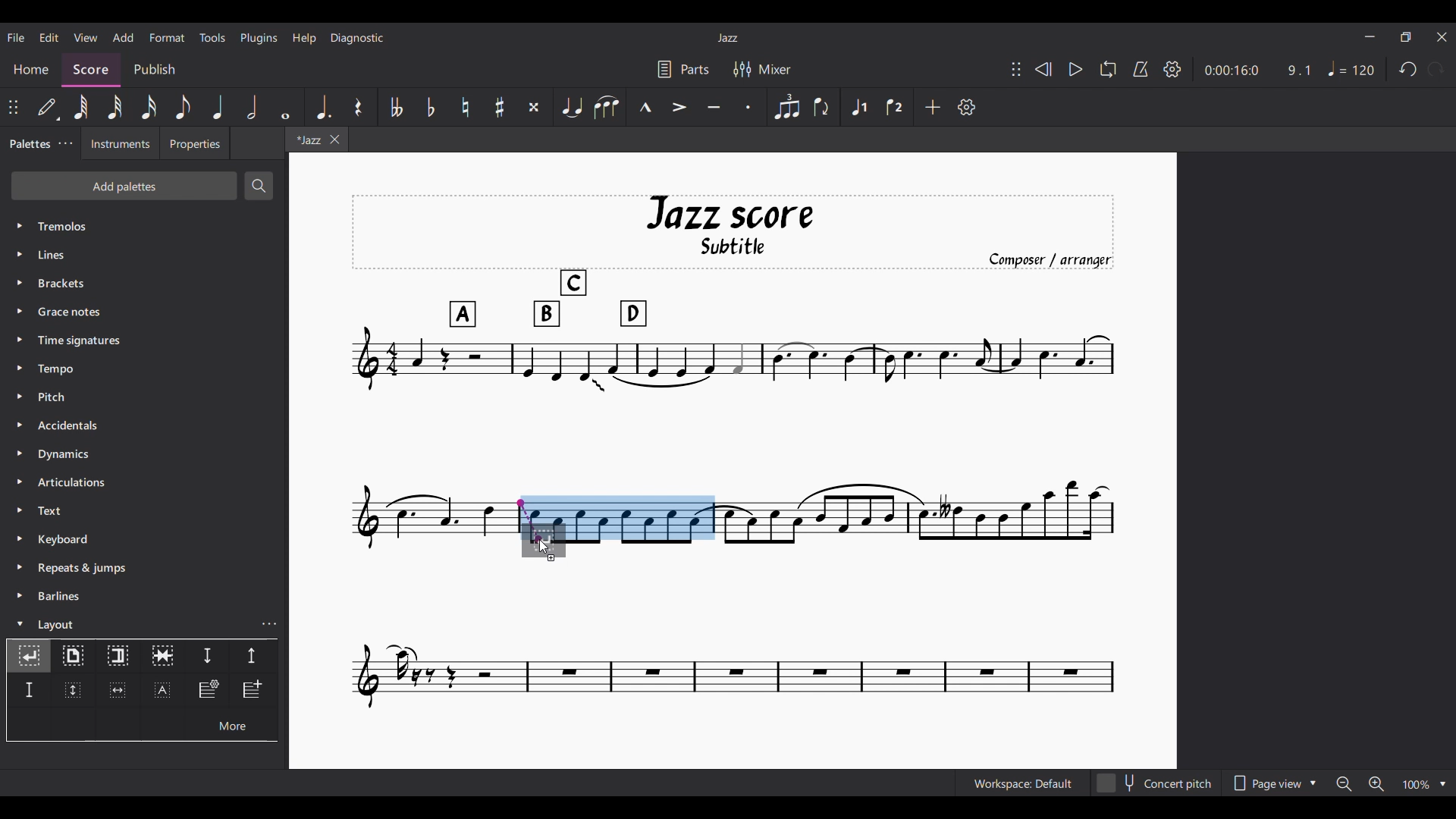 The height and width of the screenshot is (819, 1456). I want to click on Repeats and jumps, so click(144, 568).